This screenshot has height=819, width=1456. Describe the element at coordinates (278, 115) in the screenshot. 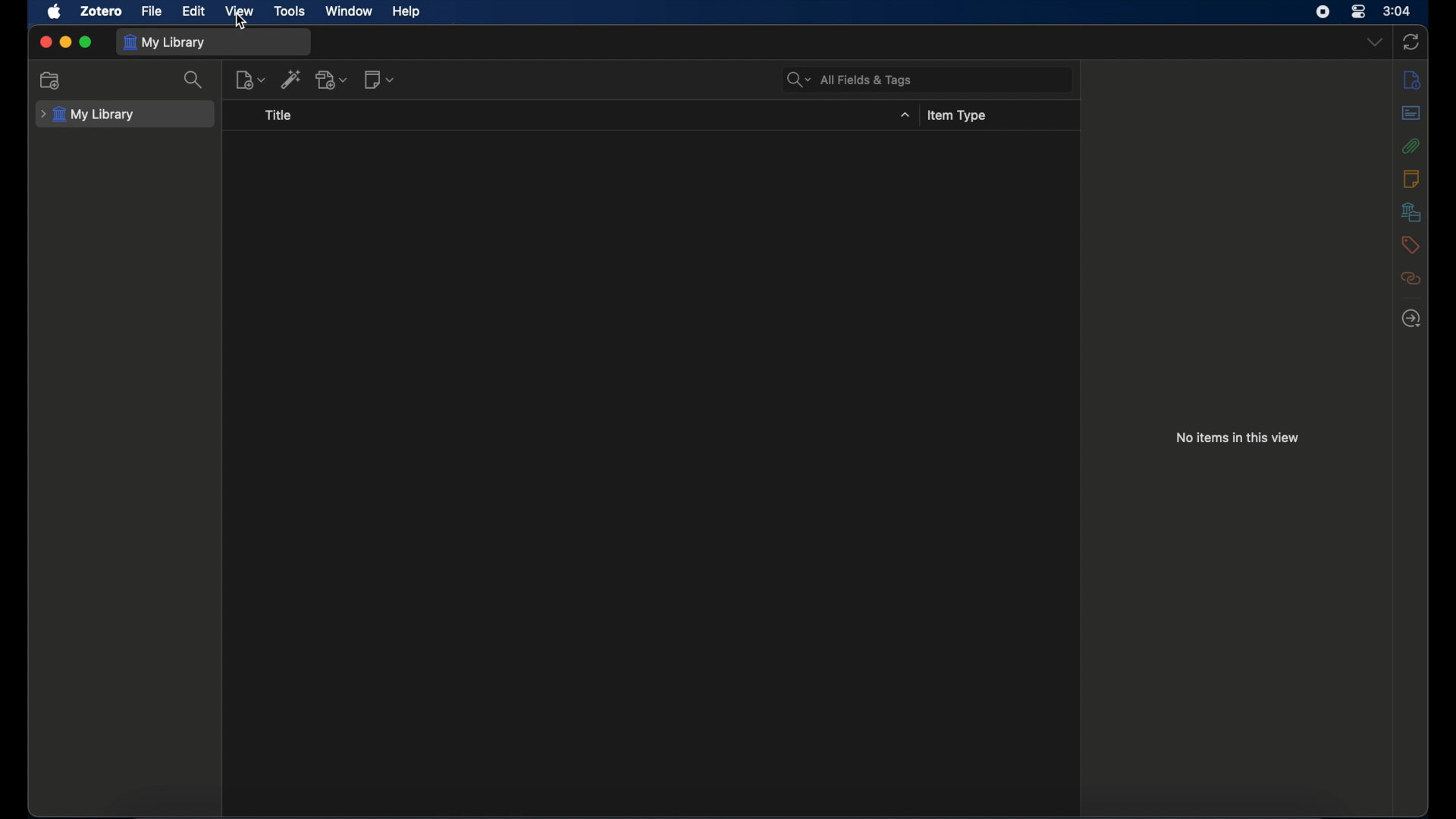

I see `title` at that location.